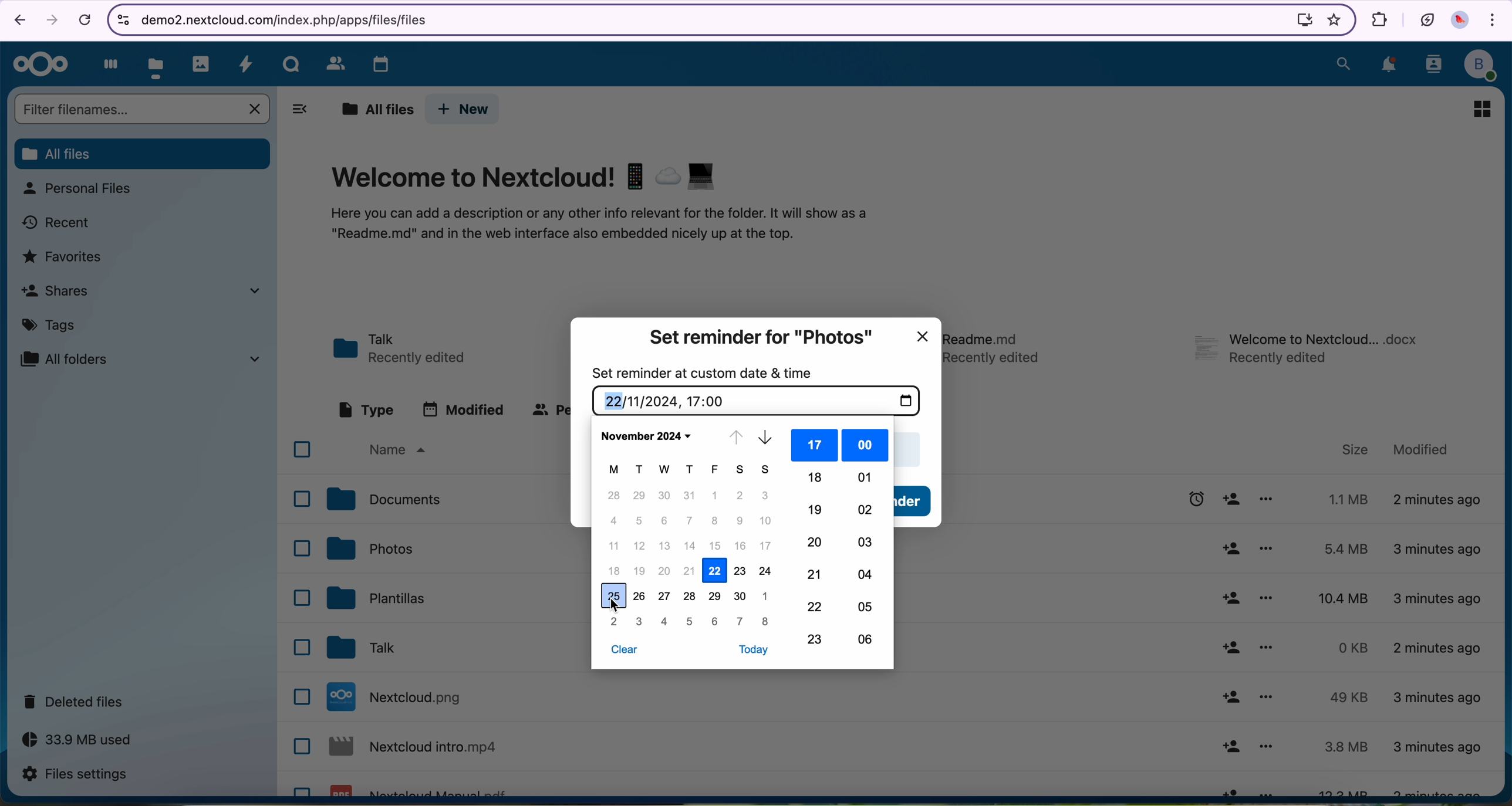 This screenshot has width=1512, height=806. Describe the element at coordinates (618, 607) in the screenshot. I see `cursor` at that location.